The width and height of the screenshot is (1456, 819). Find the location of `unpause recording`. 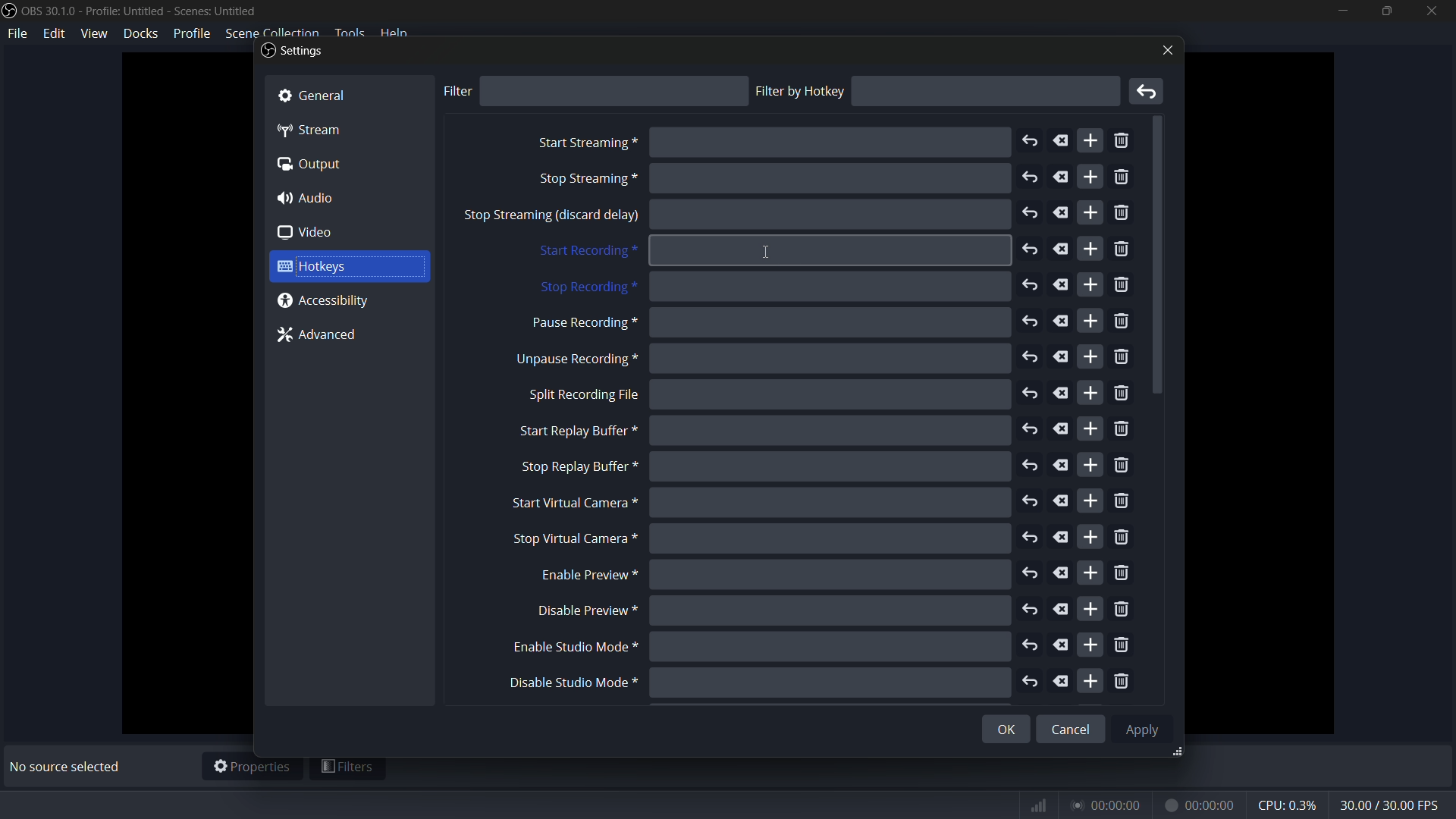

unpause recording is located at coordinates (575, 359).